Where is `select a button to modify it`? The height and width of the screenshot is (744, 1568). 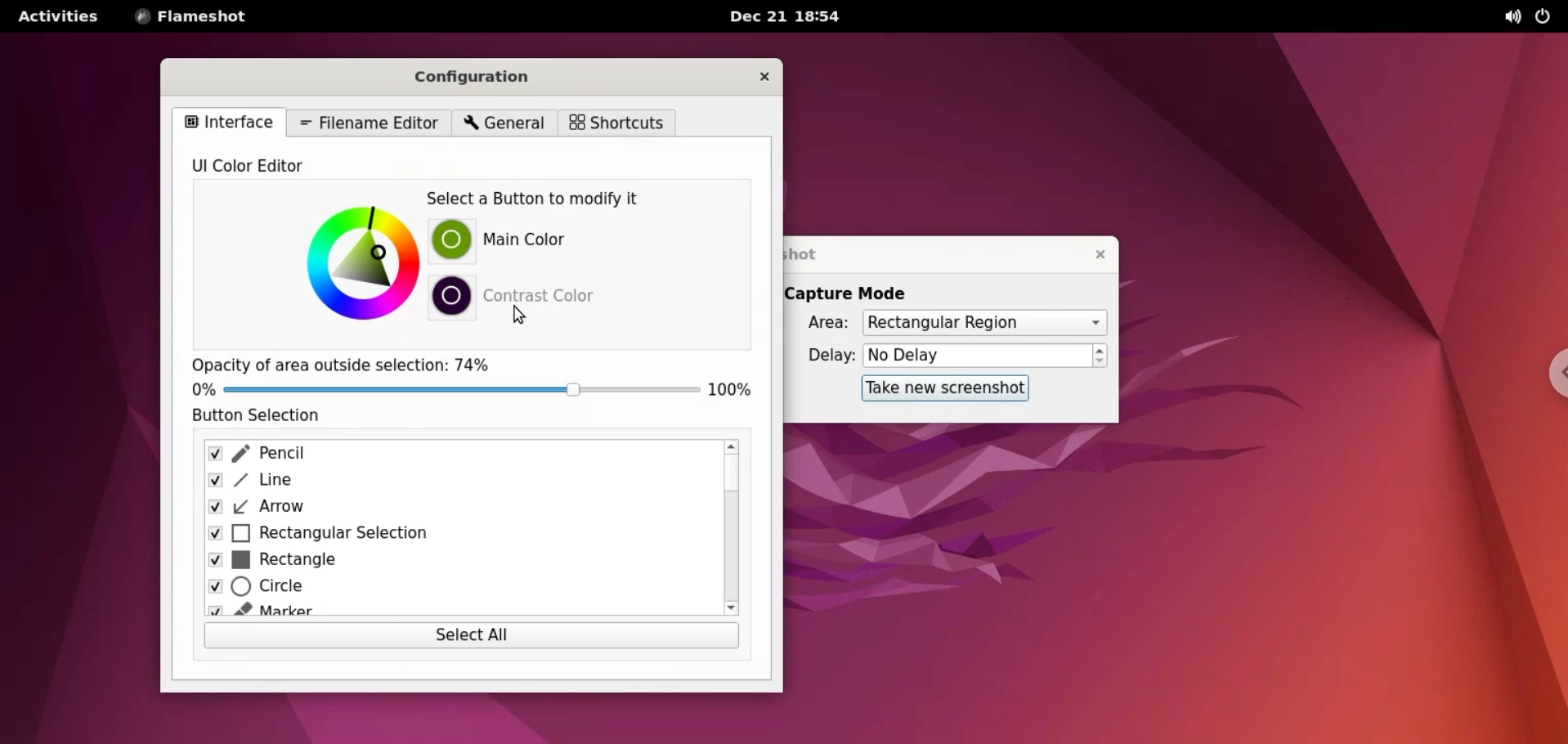 select a button to modify it is located at coordinates (543, 199).